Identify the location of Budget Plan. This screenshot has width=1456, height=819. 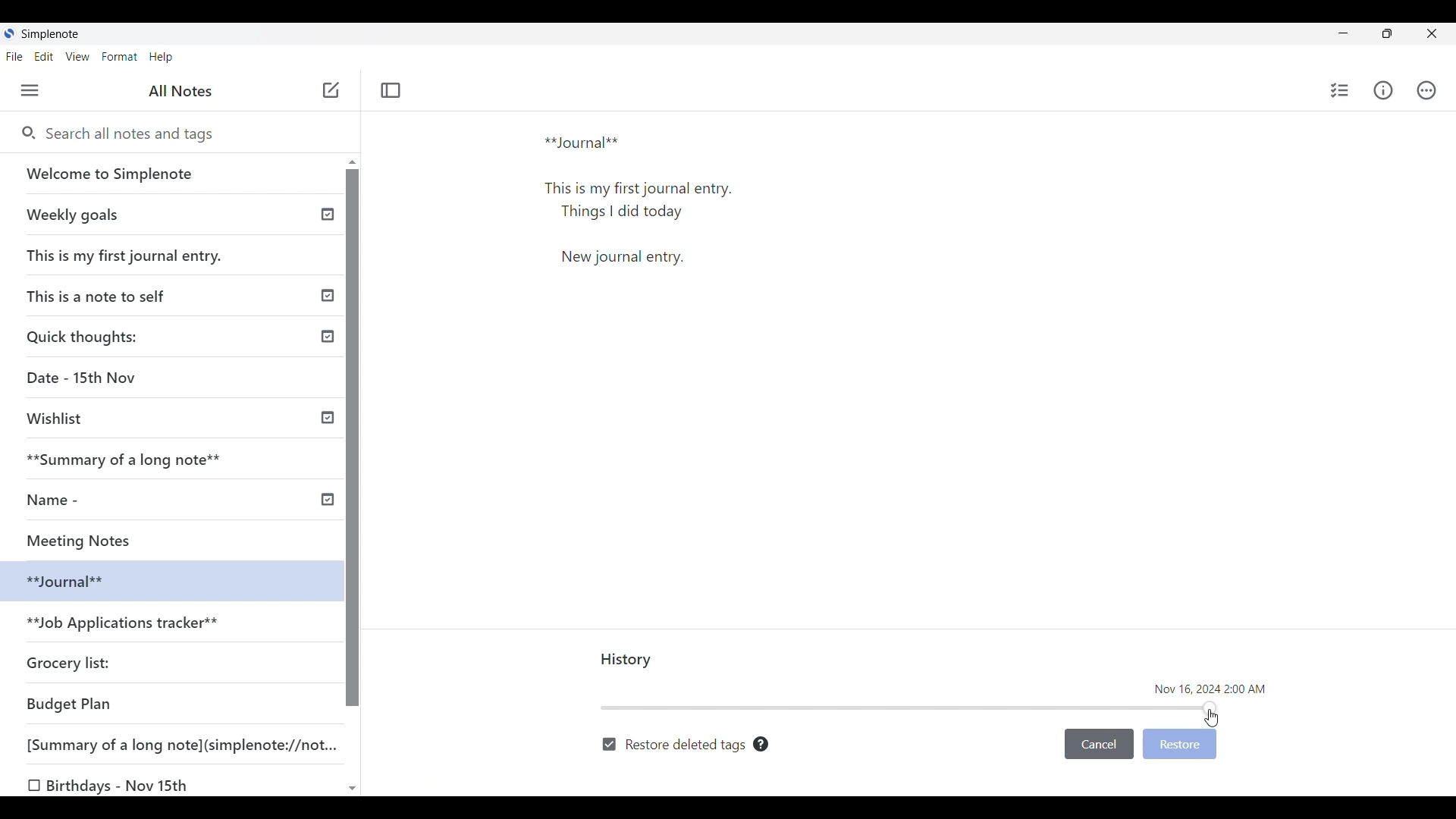
(70, 704).